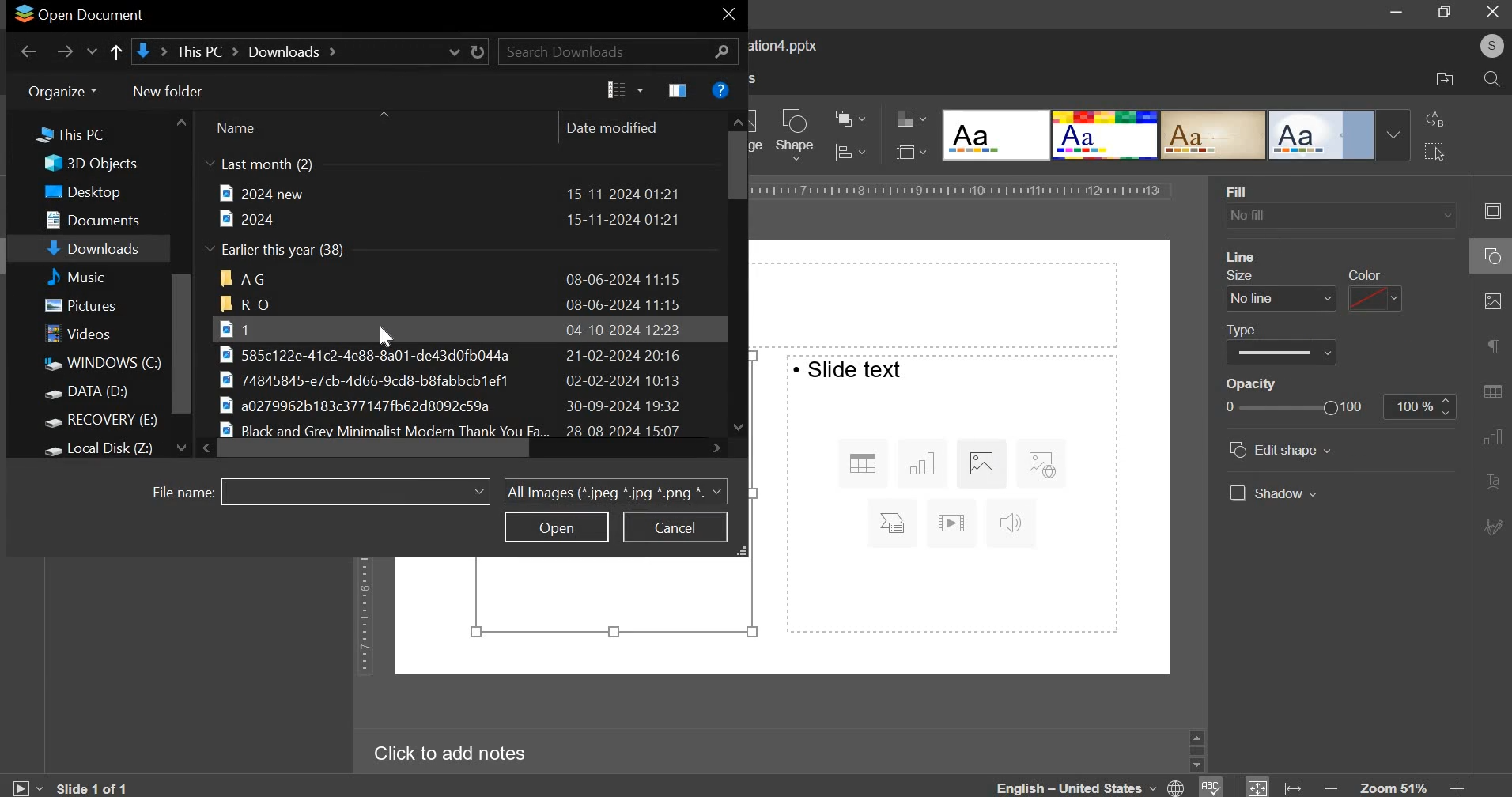 The height and width of the screenshot is (797, 1512). What do you see at coordinates (1445, 80) in the screenshot?
I see `file location` at bounding box center [1445, 80].